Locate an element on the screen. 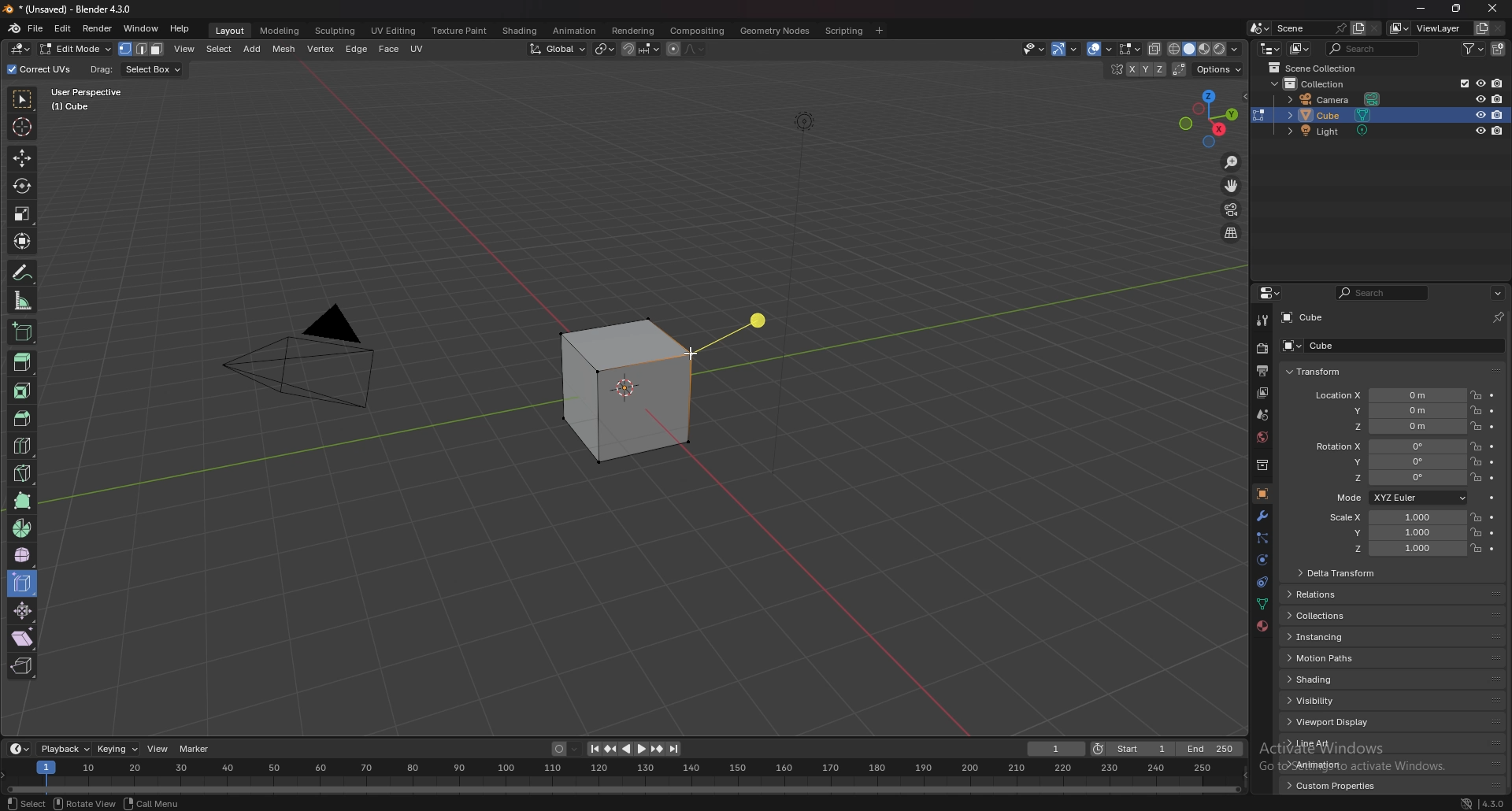 The width and height of the screenshot is (1512, 811). add workspace is located at coordinates (880, 31).